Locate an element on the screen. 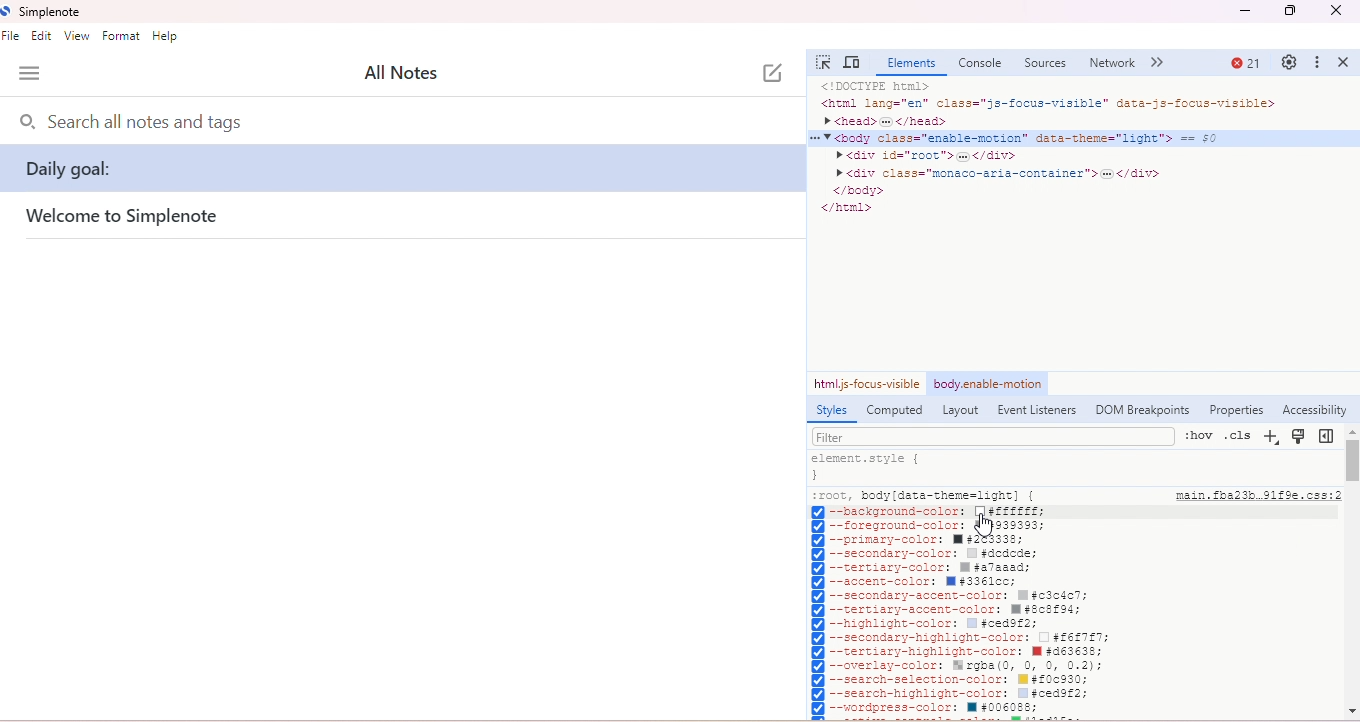  primary-color is located at coordinates (929, 540).